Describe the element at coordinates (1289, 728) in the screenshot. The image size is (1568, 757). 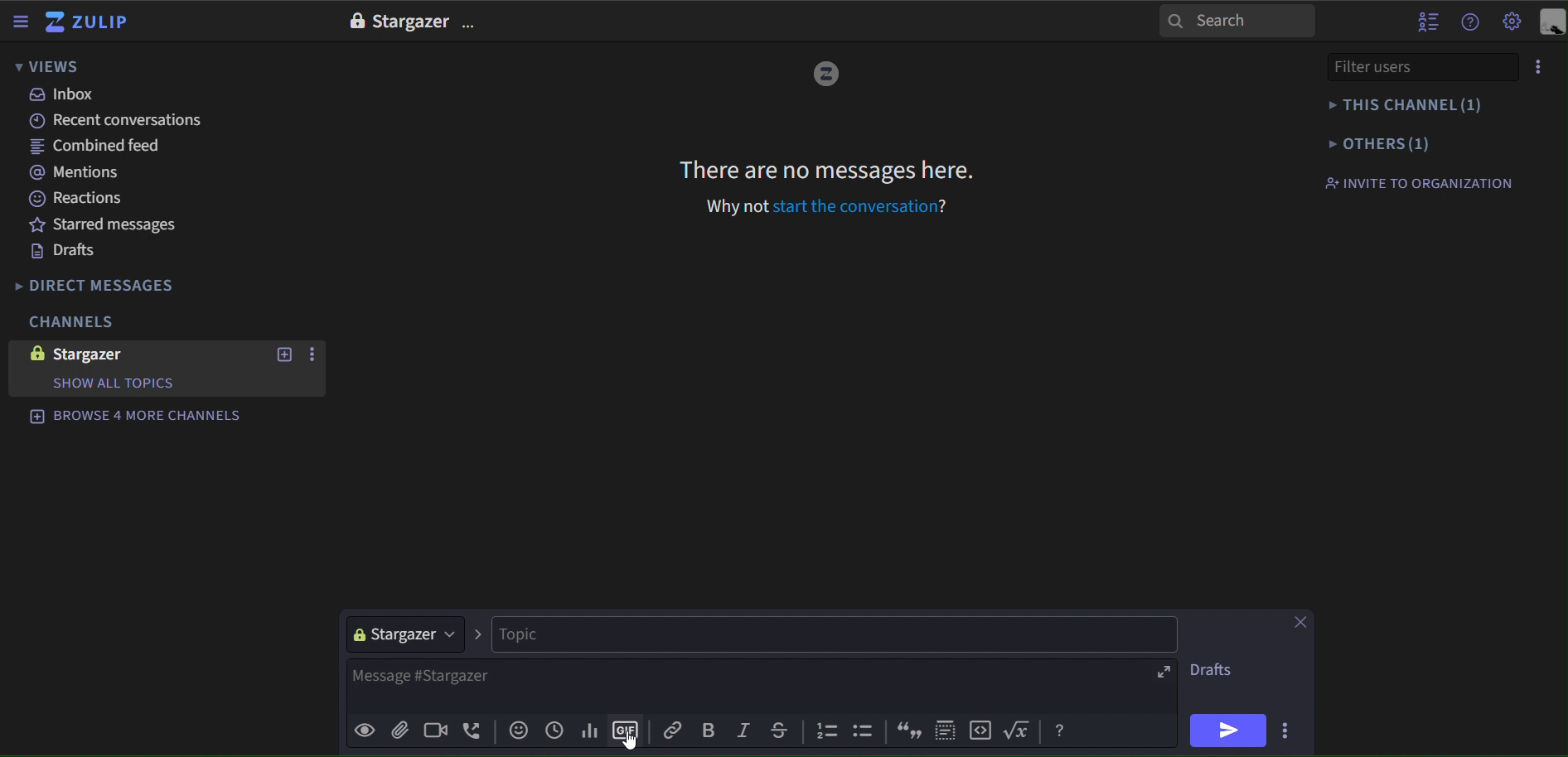
I see `more options` at that location.